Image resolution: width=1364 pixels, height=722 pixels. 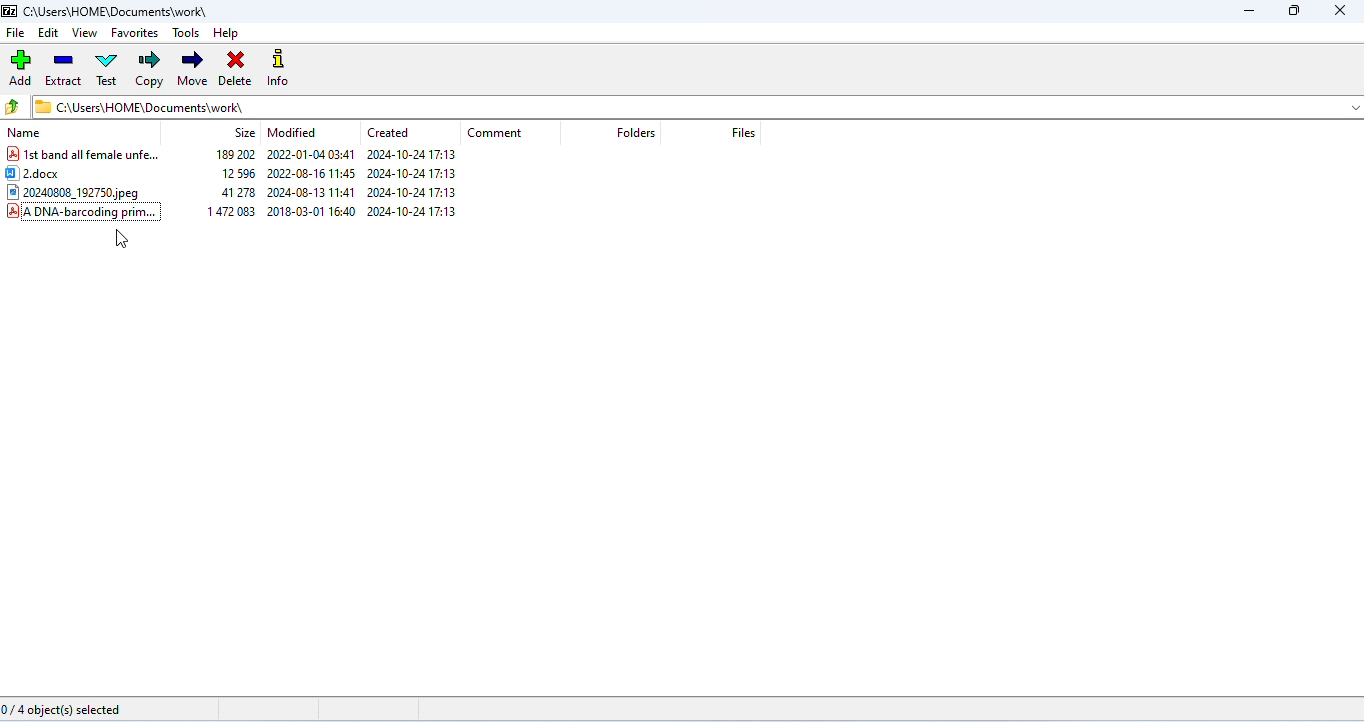 What do you see at coordinates (494, 134) in the screenshot?
I see `comment` at bounding box center [494, 134].